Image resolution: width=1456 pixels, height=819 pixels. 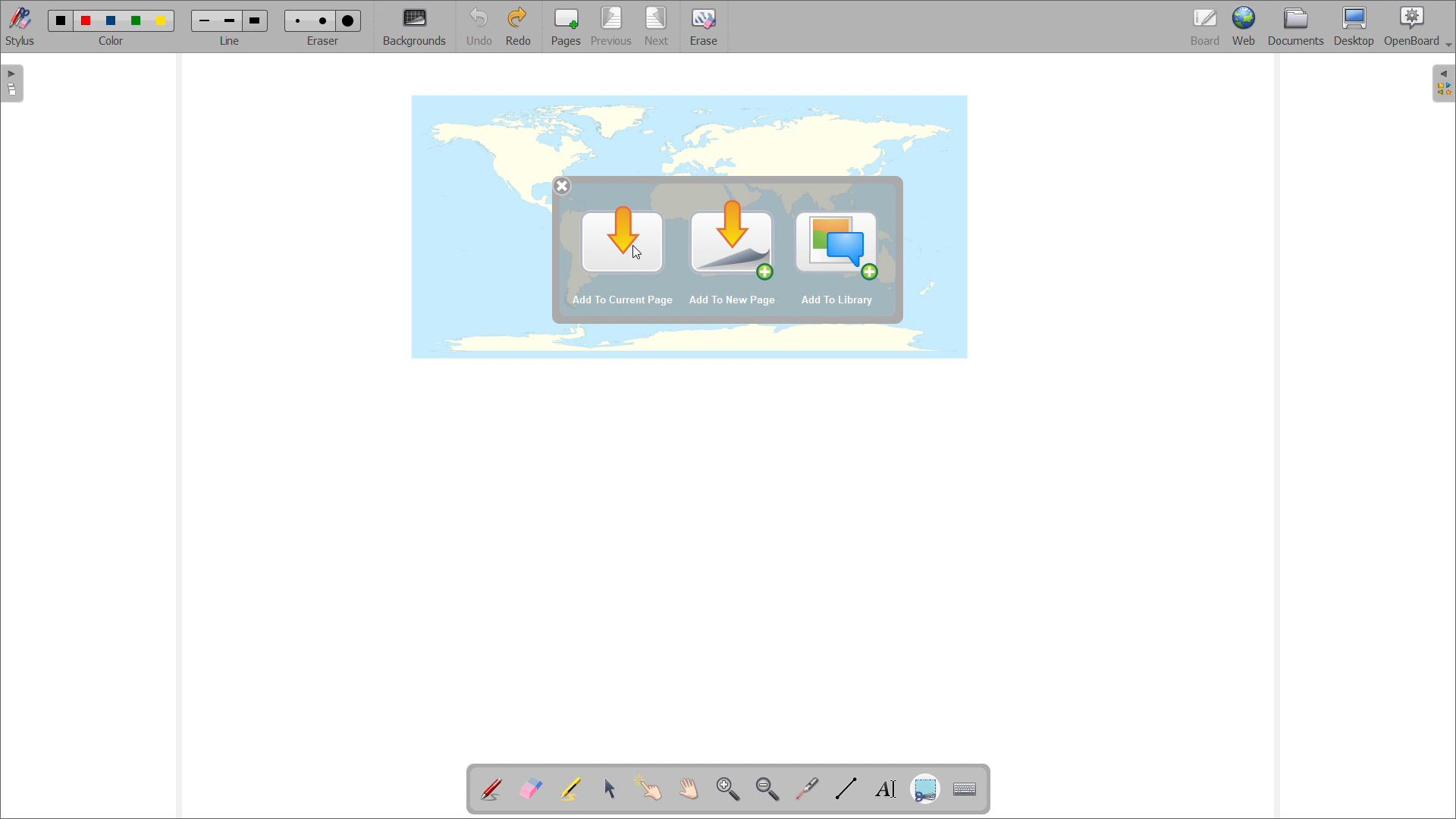 What do you see at coordinates (733, 300) in the screenshot?
I see `add to new page` at bounding box center [733, 300].